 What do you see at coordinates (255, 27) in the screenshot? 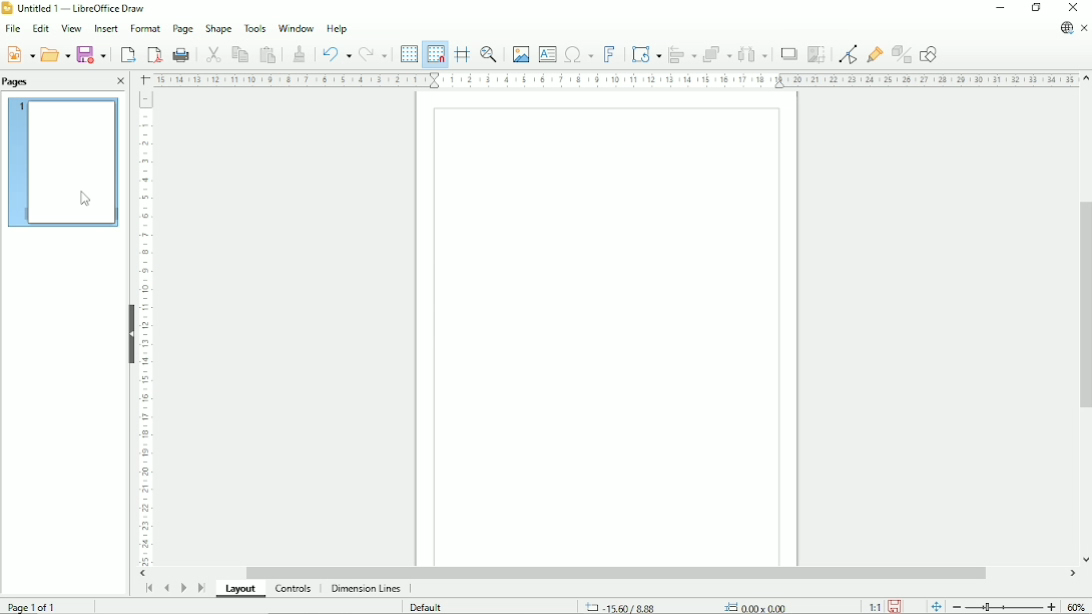
I see `Tools` at bounding box center [255, 27].